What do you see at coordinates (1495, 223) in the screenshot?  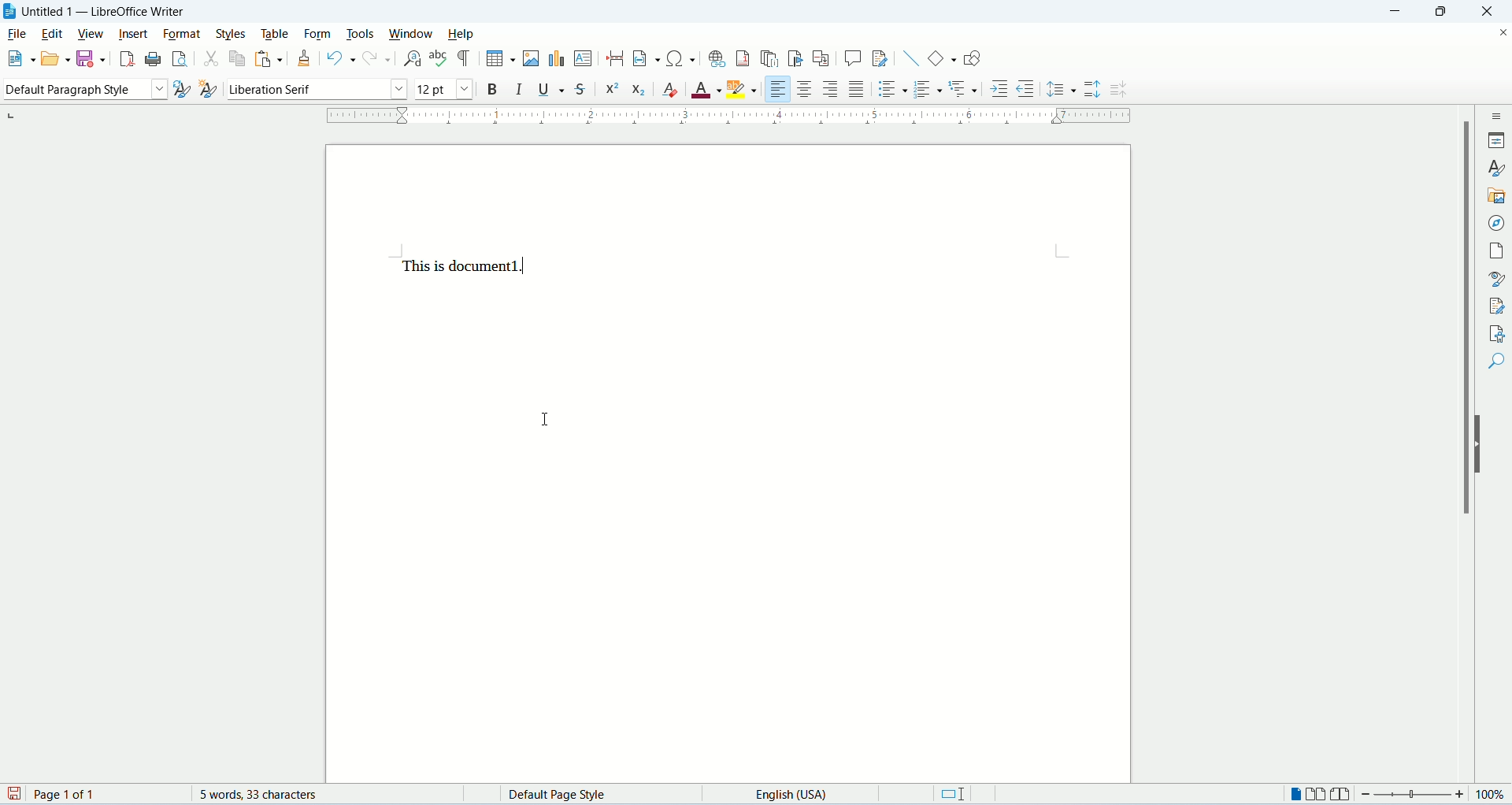 I see `navigator` at bounding box center [1495, 223].